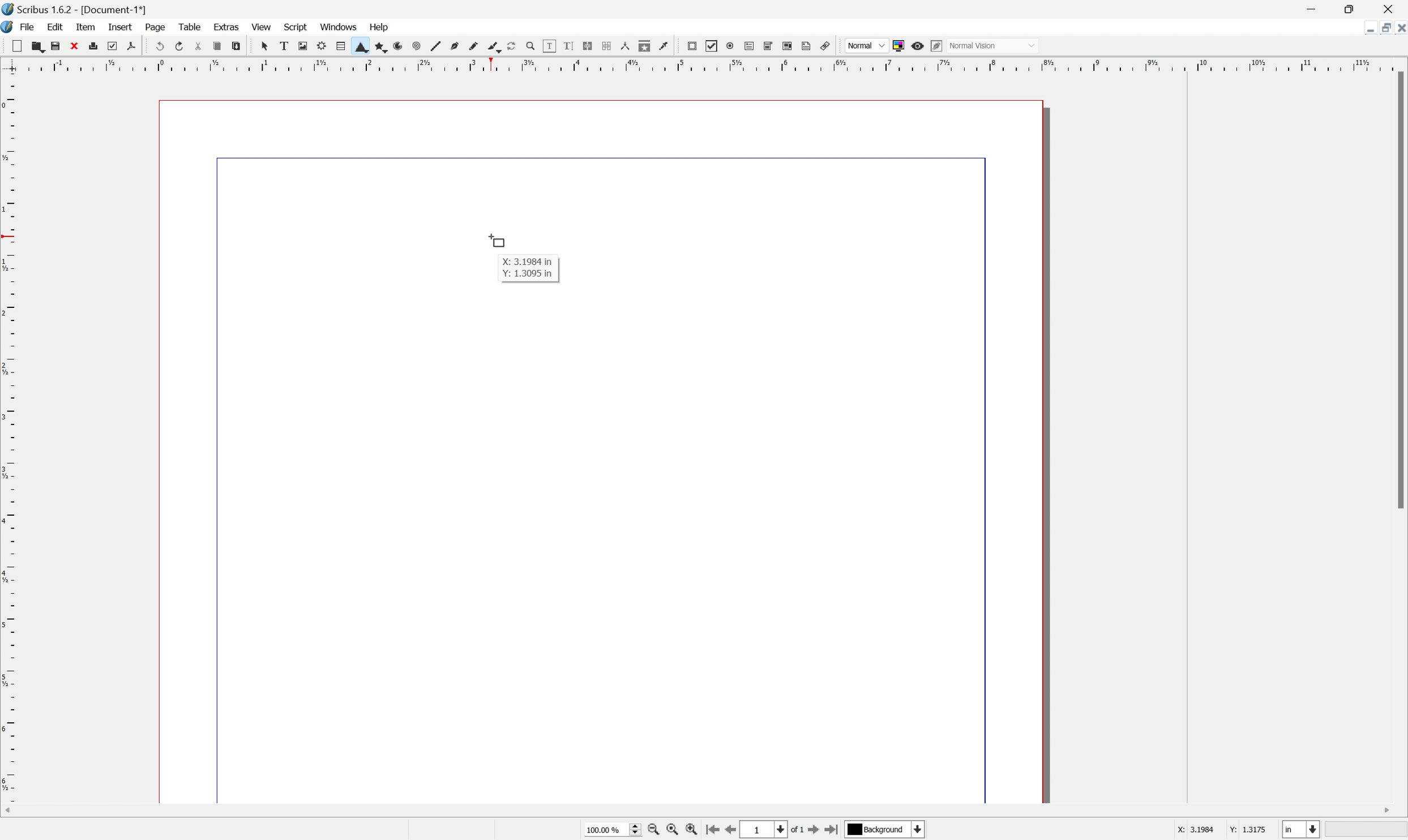  I want to click on Redo, so click(178, 45).